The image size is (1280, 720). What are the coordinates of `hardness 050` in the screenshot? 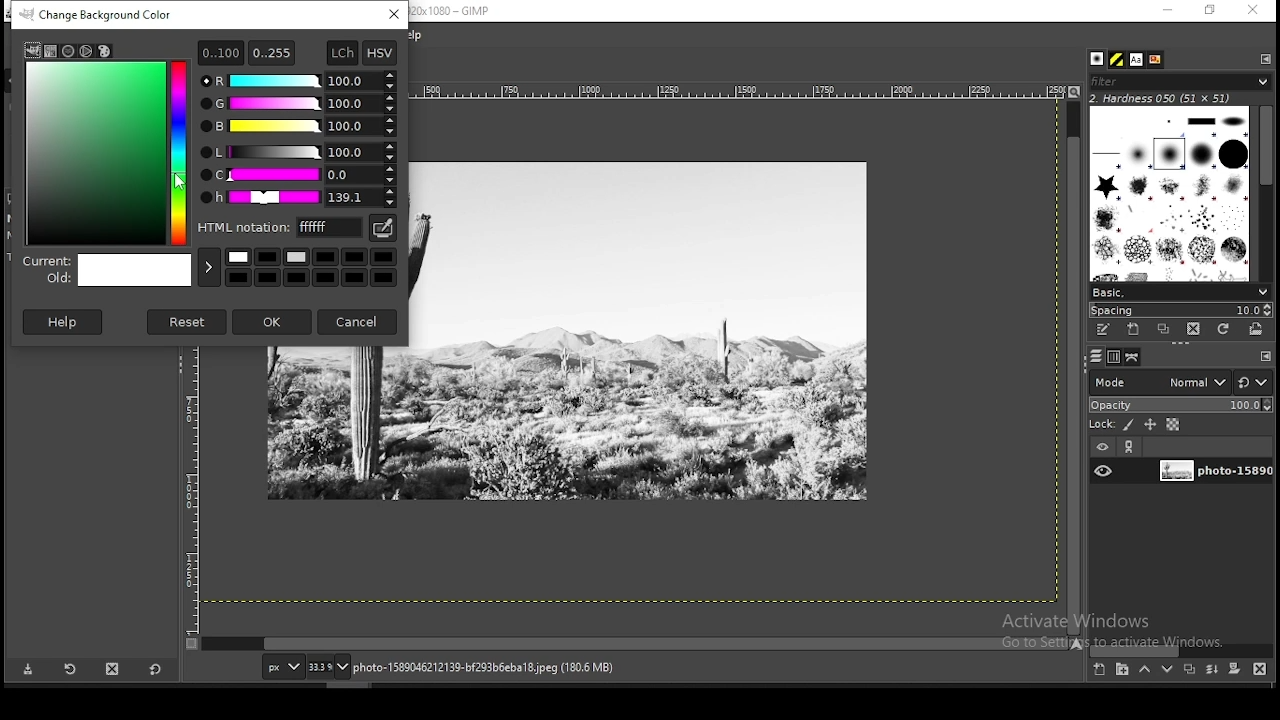 It's located at (1185, 98).